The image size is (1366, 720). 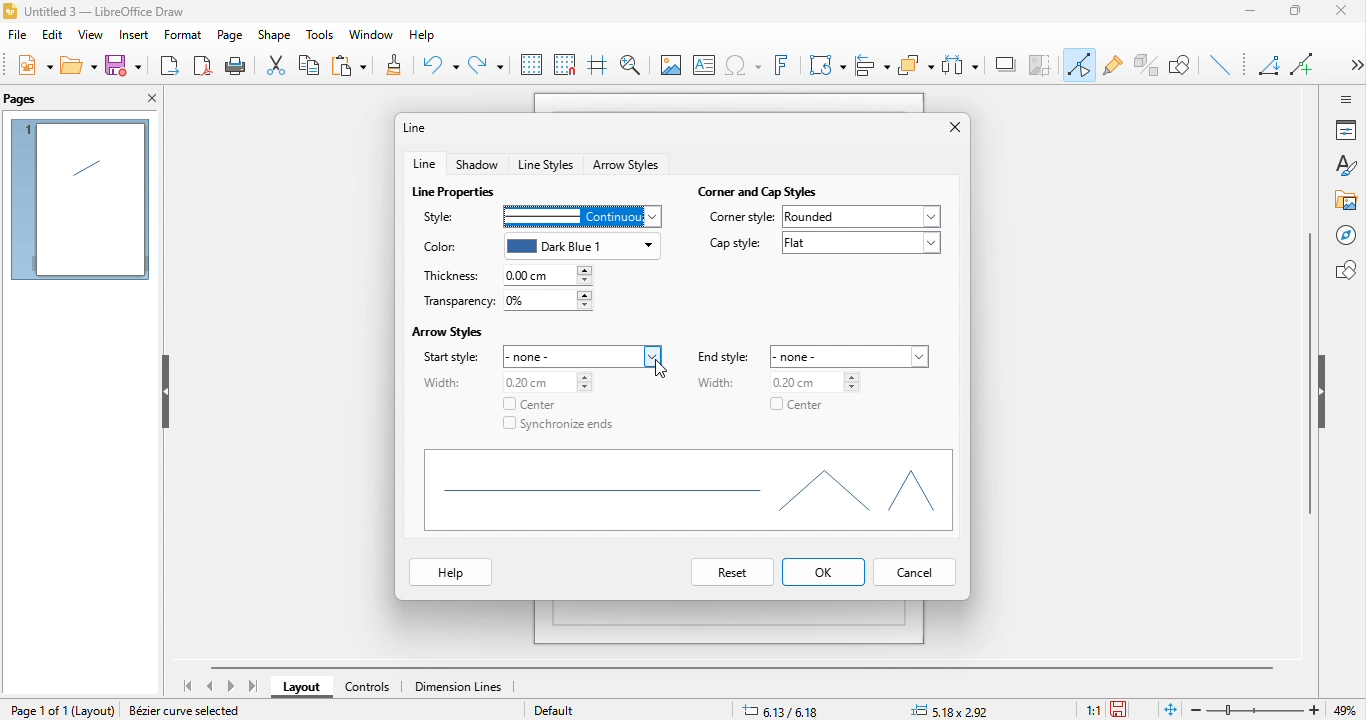 What do you see at coordinates (479, 163) in the screenshot?
I see `shadow` at bounding box center [479, 163].